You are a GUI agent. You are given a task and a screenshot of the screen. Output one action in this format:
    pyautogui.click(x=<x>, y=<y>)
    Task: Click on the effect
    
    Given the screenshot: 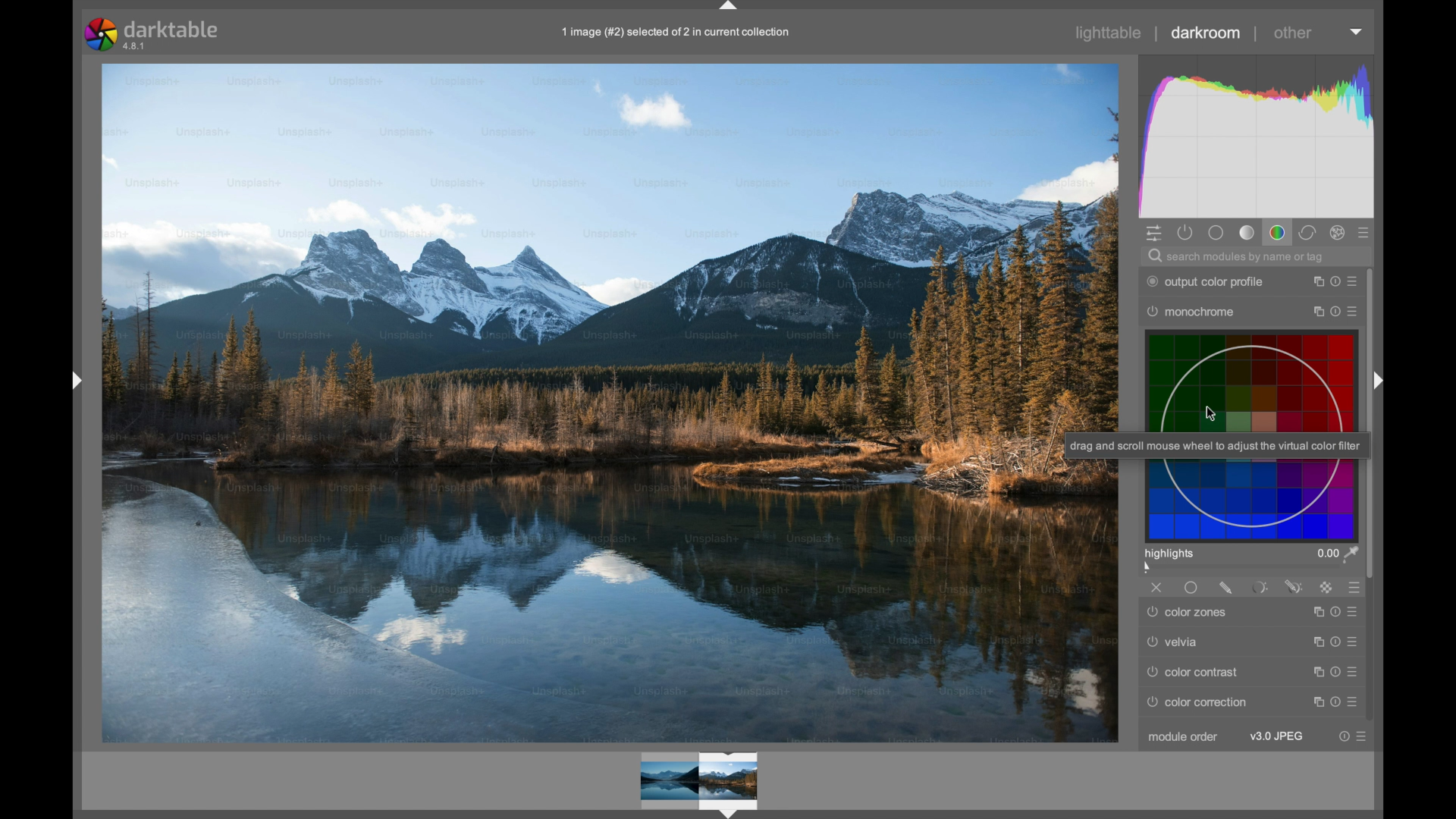 What is the action you would take?
    pyautogui.click(x=1338, y=233)
    